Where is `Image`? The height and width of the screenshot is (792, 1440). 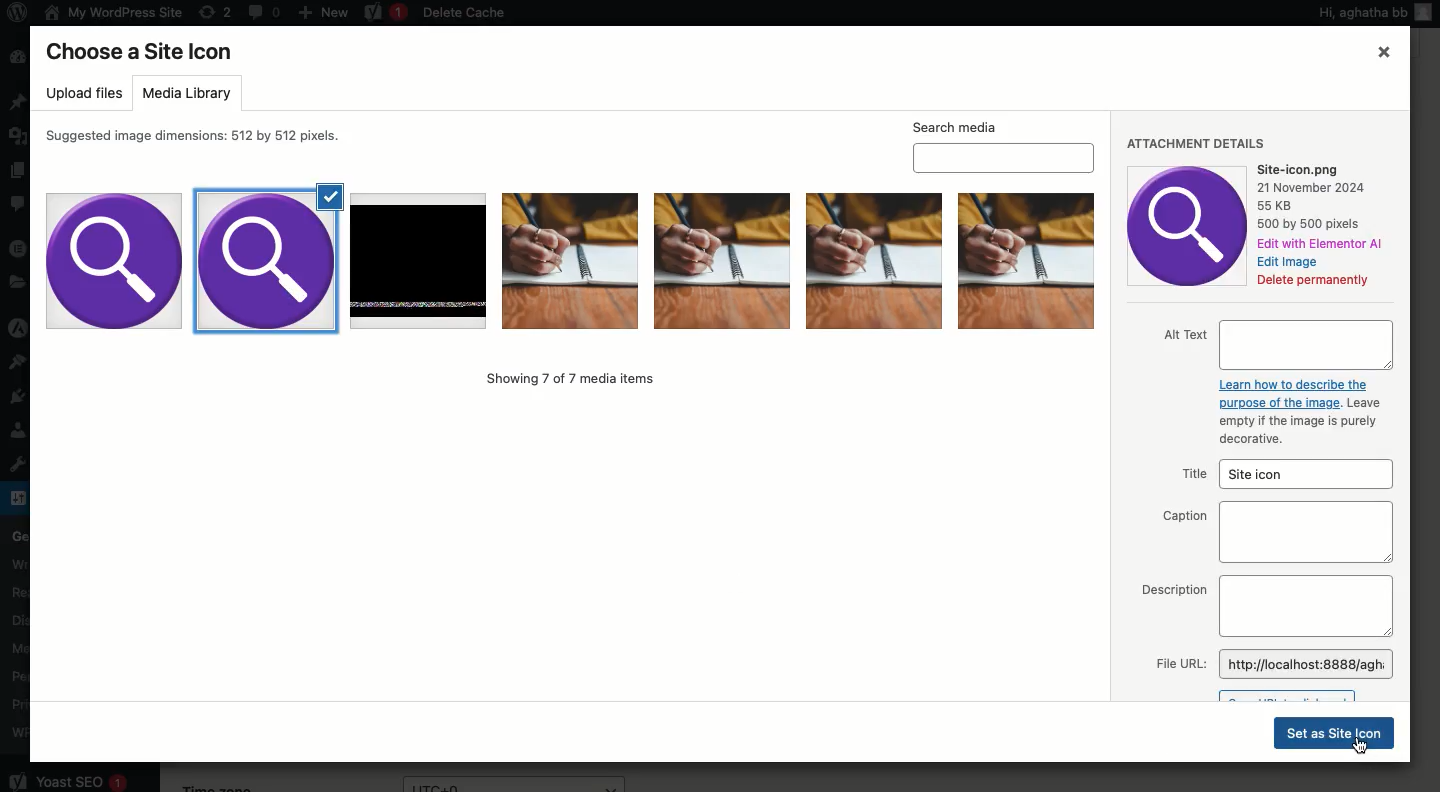
Image is located at coordinates (568, 258).